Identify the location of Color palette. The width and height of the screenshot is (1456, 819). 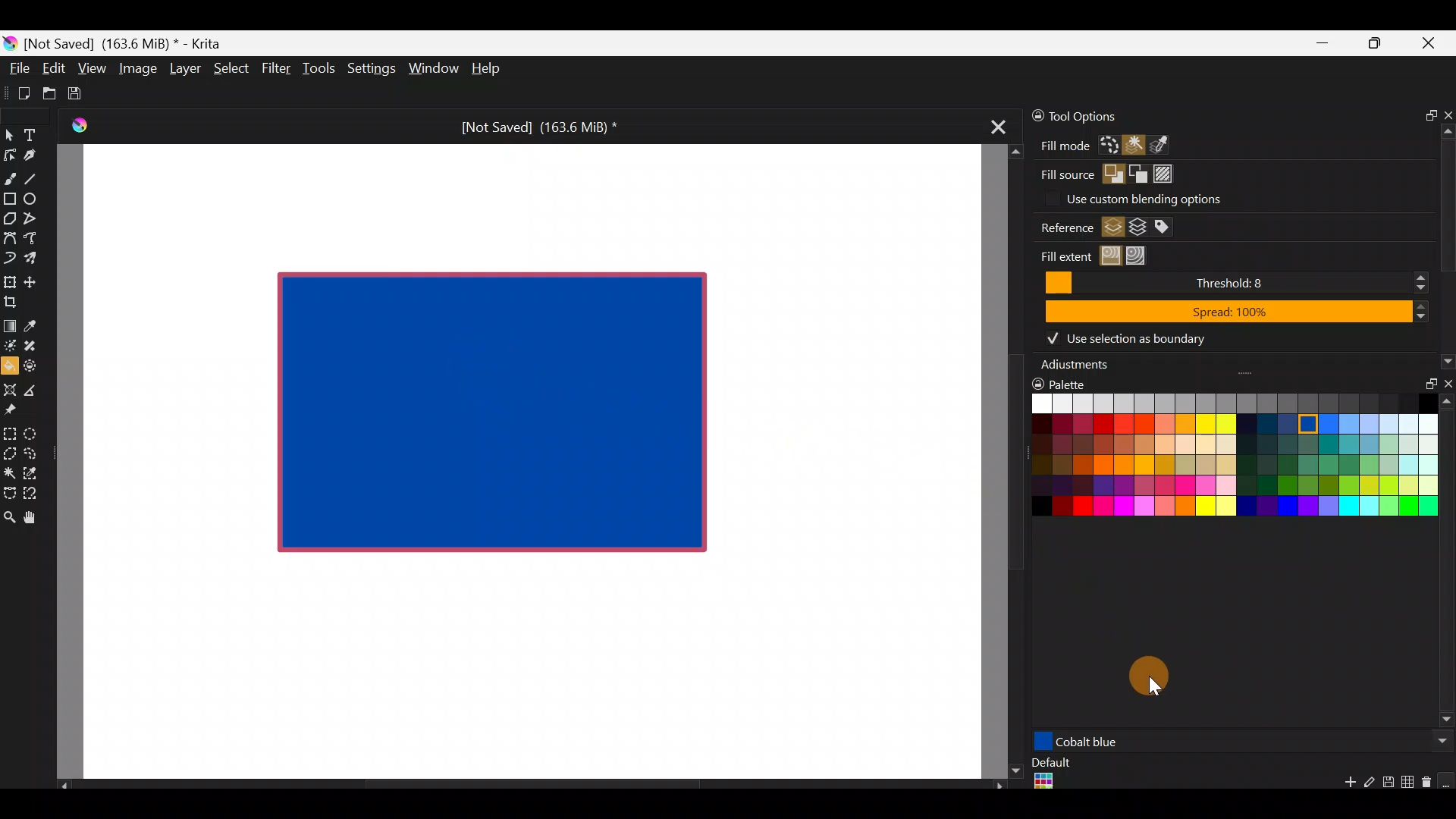
(1222, 468).